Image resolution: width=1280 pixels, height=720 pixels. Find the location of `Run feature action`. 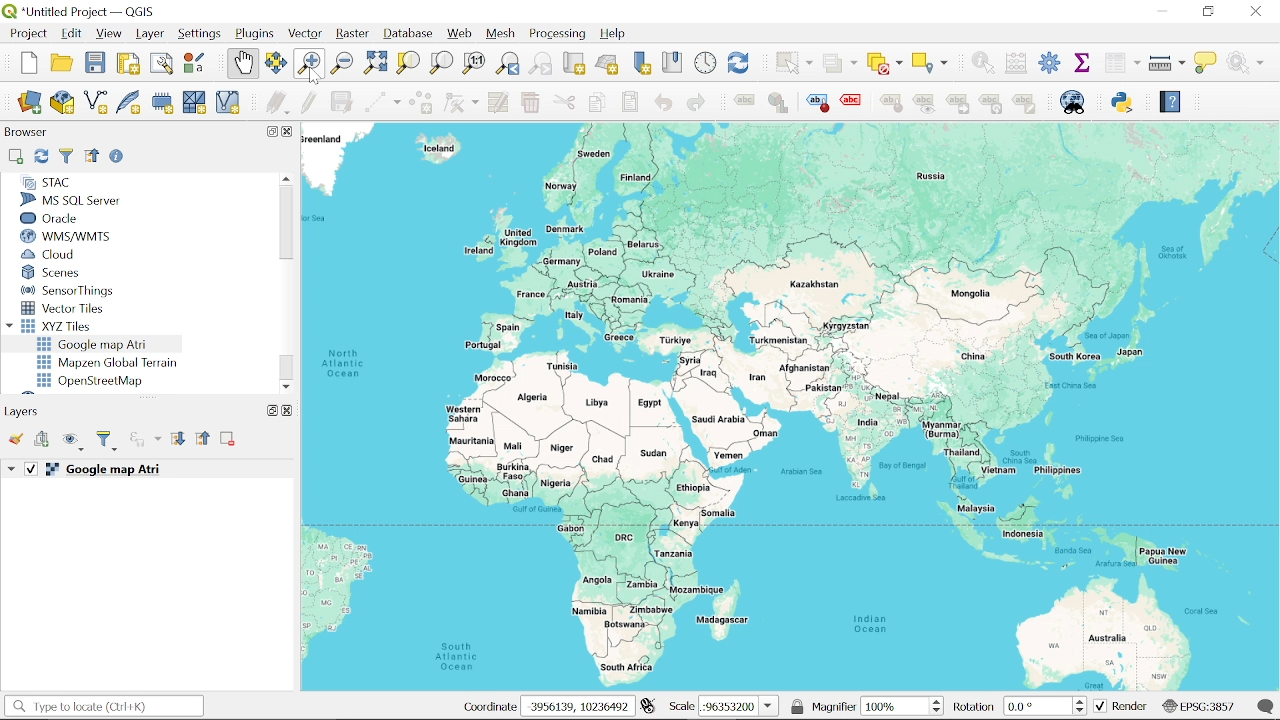

Run feature action is located at coordinates (1251, 62).